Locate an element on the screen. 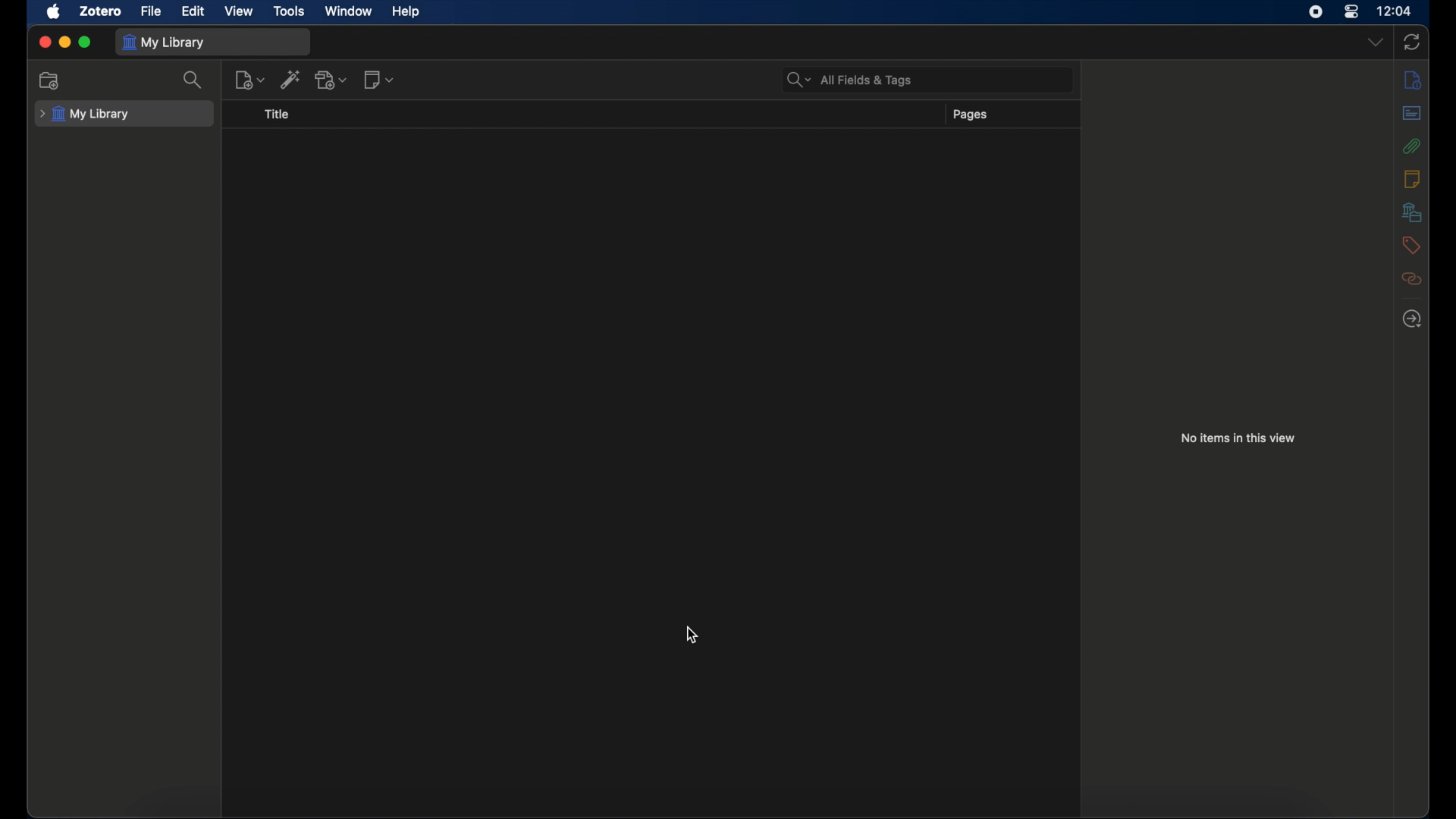 The width and height of the screenshot is (1456, 819). time is located at coordinates (1393, 11).